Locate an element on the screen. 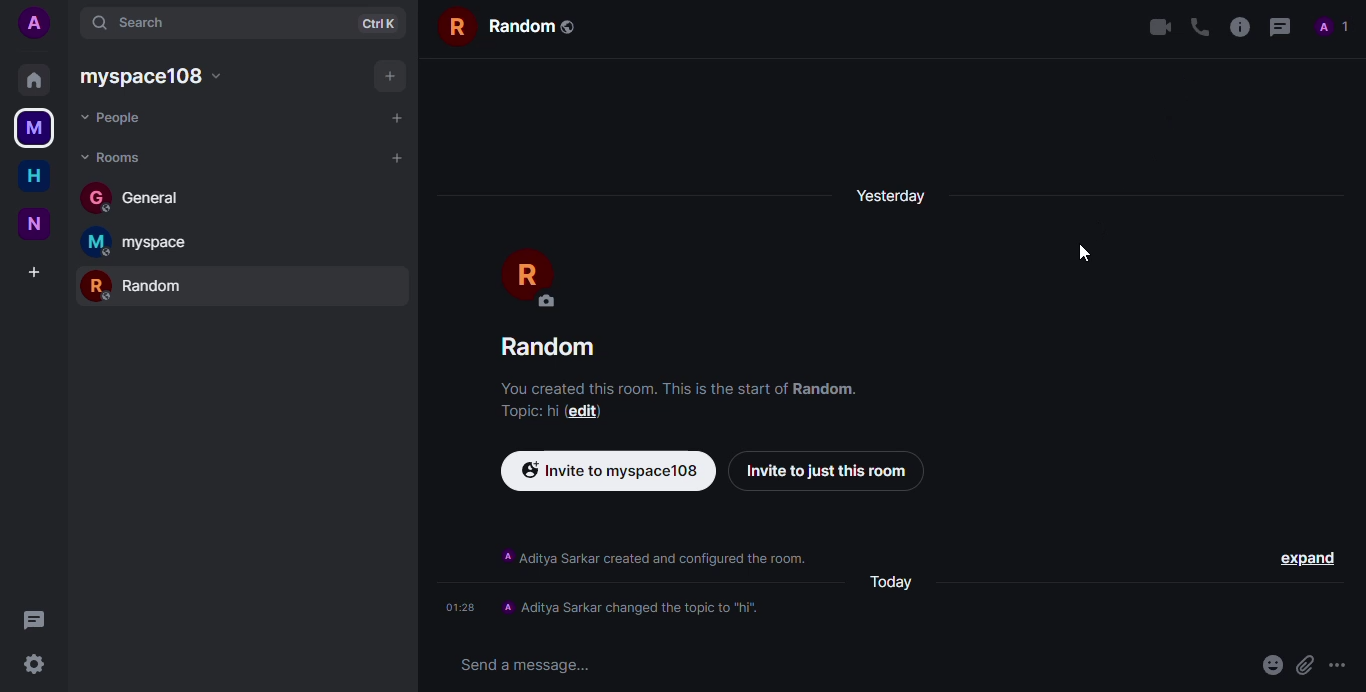 The width and height of the screenshot is (1366, 692). add is located at coordinates (393, 116).